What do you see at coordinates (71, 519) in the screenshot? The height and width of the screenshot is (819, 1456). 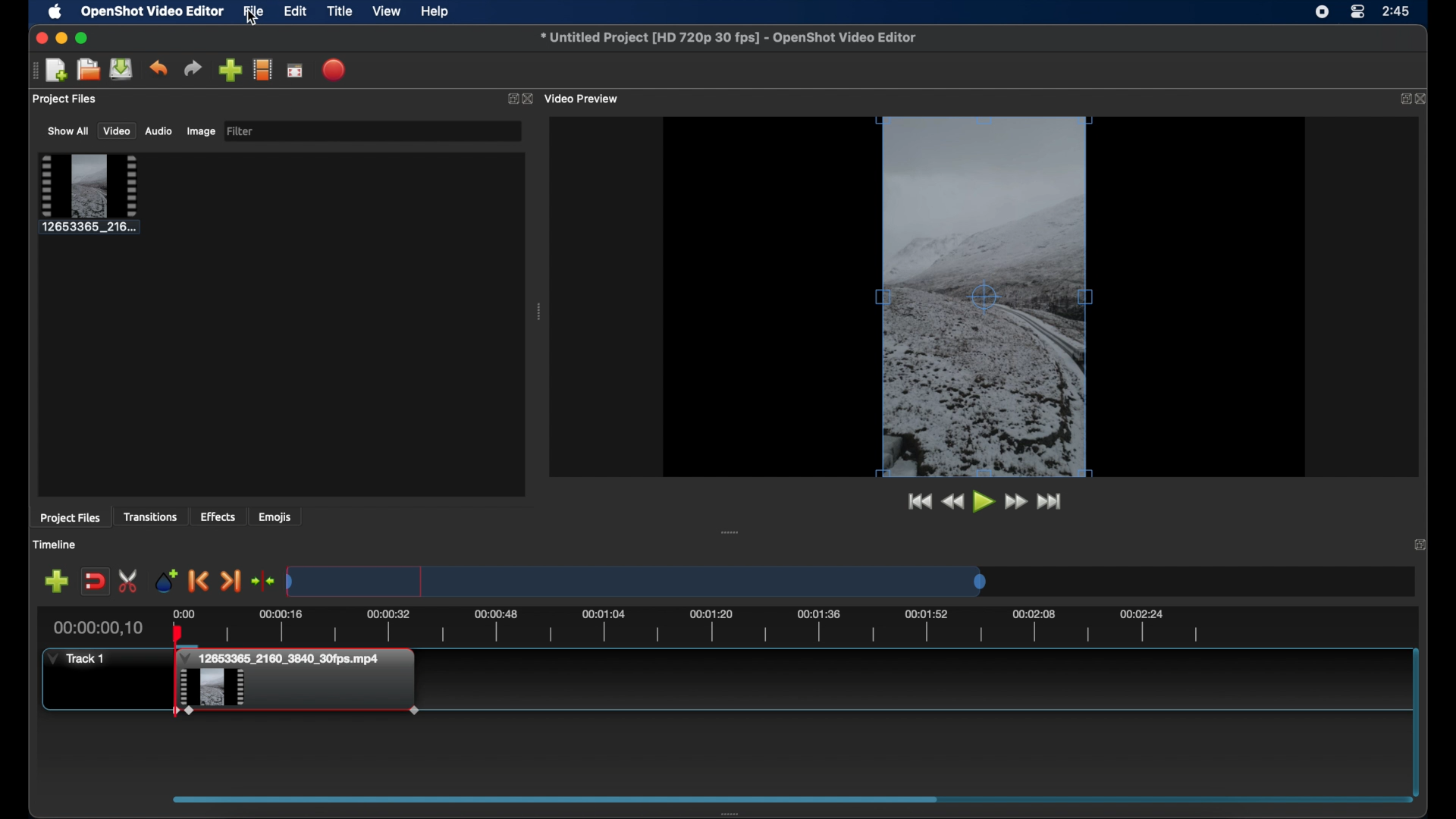 I see `project files` at bounding box center [71, 519].